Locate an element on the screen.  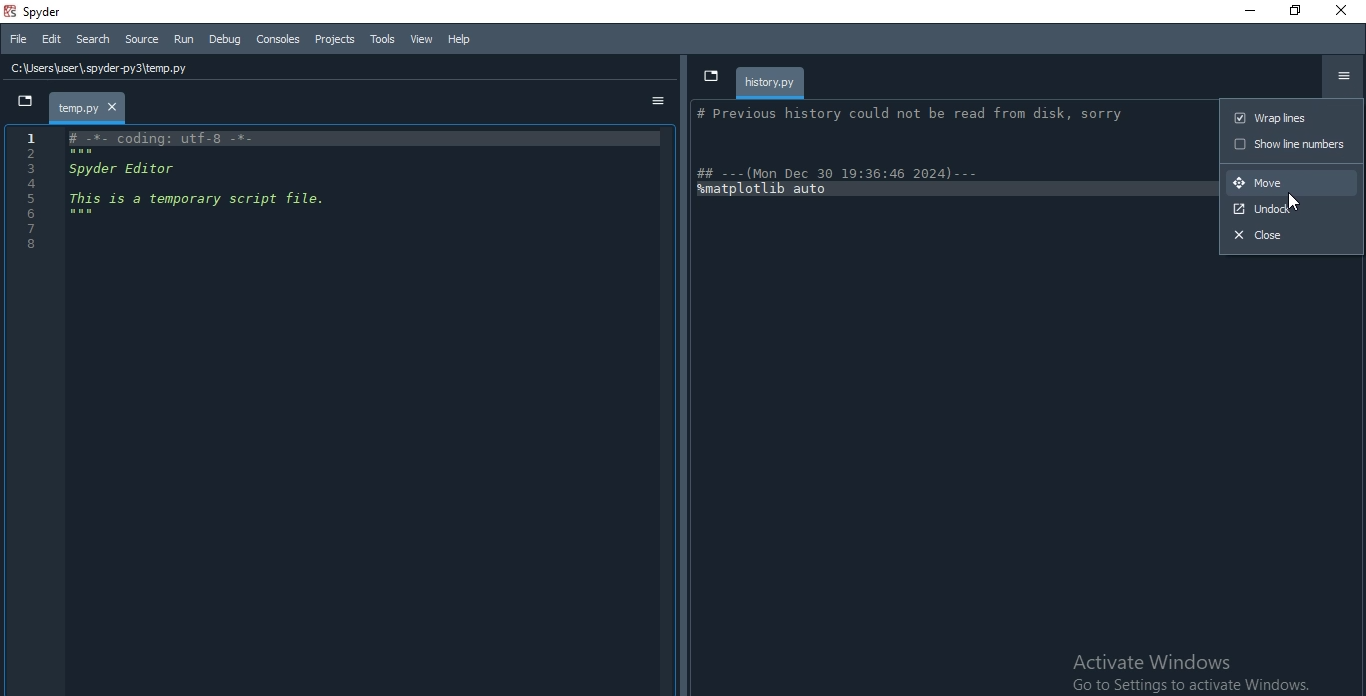
Projects is located at coordinates (334, 40).